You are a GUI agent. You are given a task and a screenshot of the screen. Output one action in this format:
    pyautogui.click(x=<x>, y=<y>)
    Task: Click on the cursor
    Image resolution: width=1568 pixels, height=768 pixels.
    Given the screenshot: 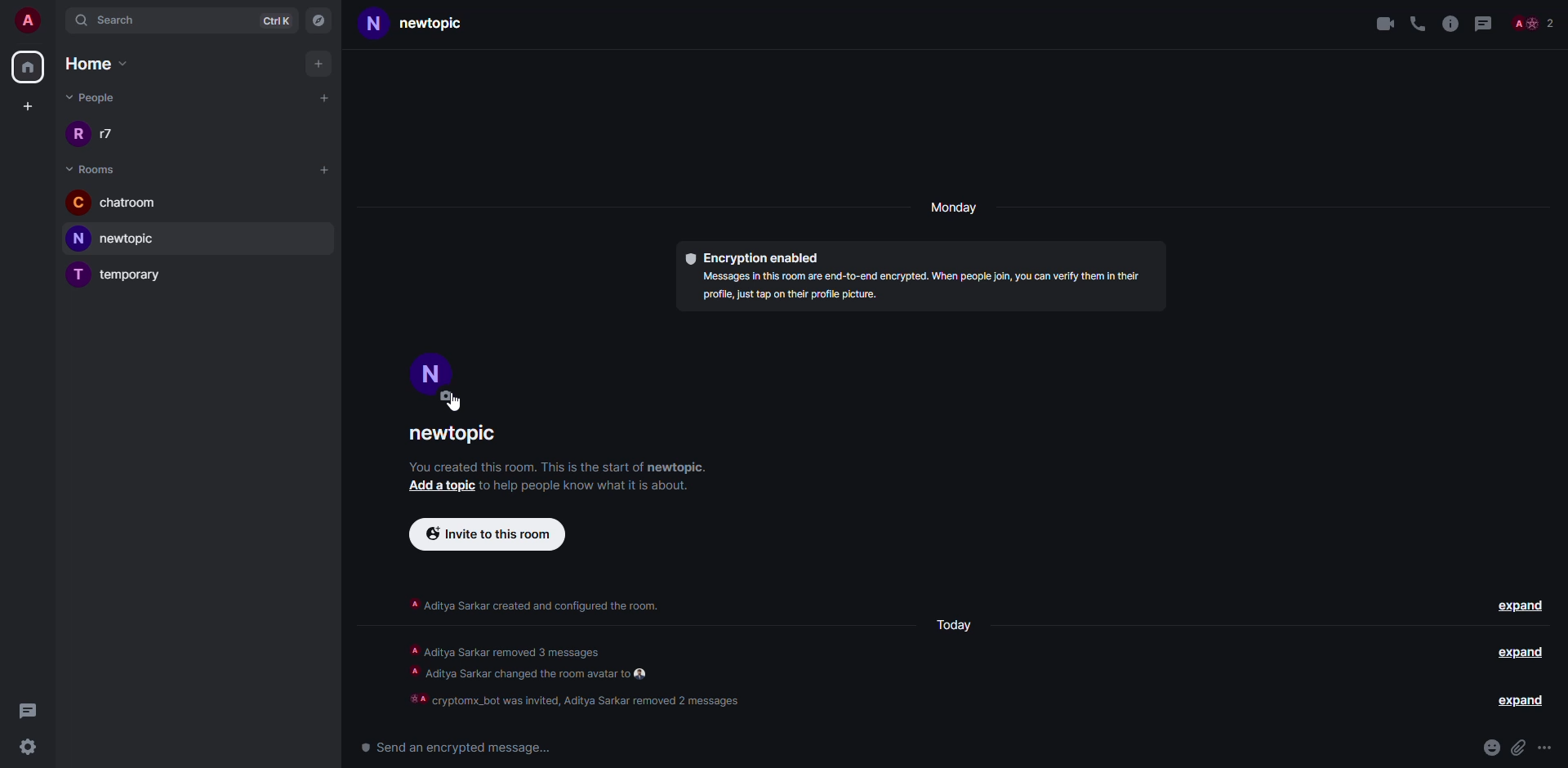 What is the action you would take?
    pyautogui.click(x=452, y=403)
    